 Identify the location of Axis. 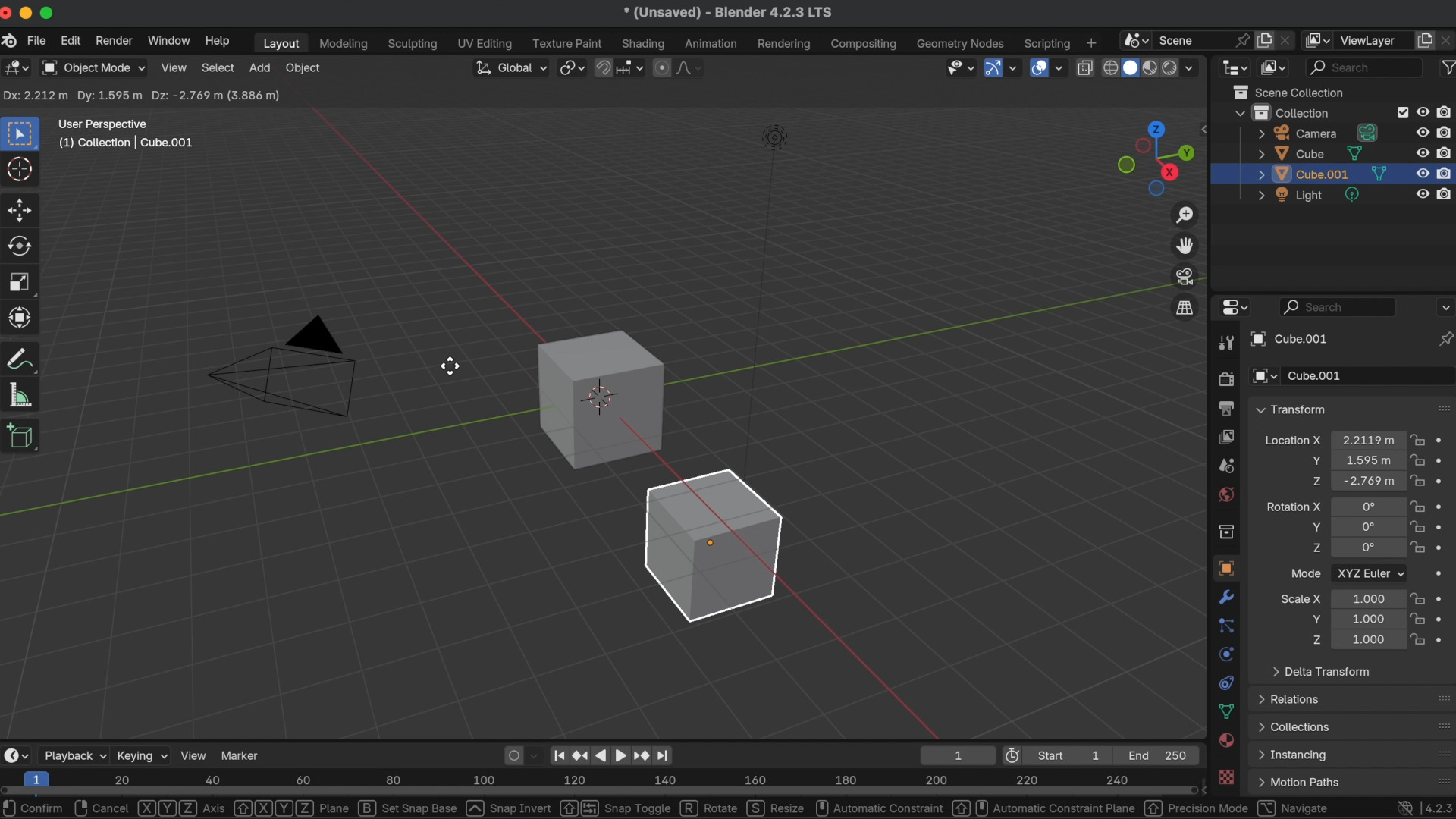
(182, 808).